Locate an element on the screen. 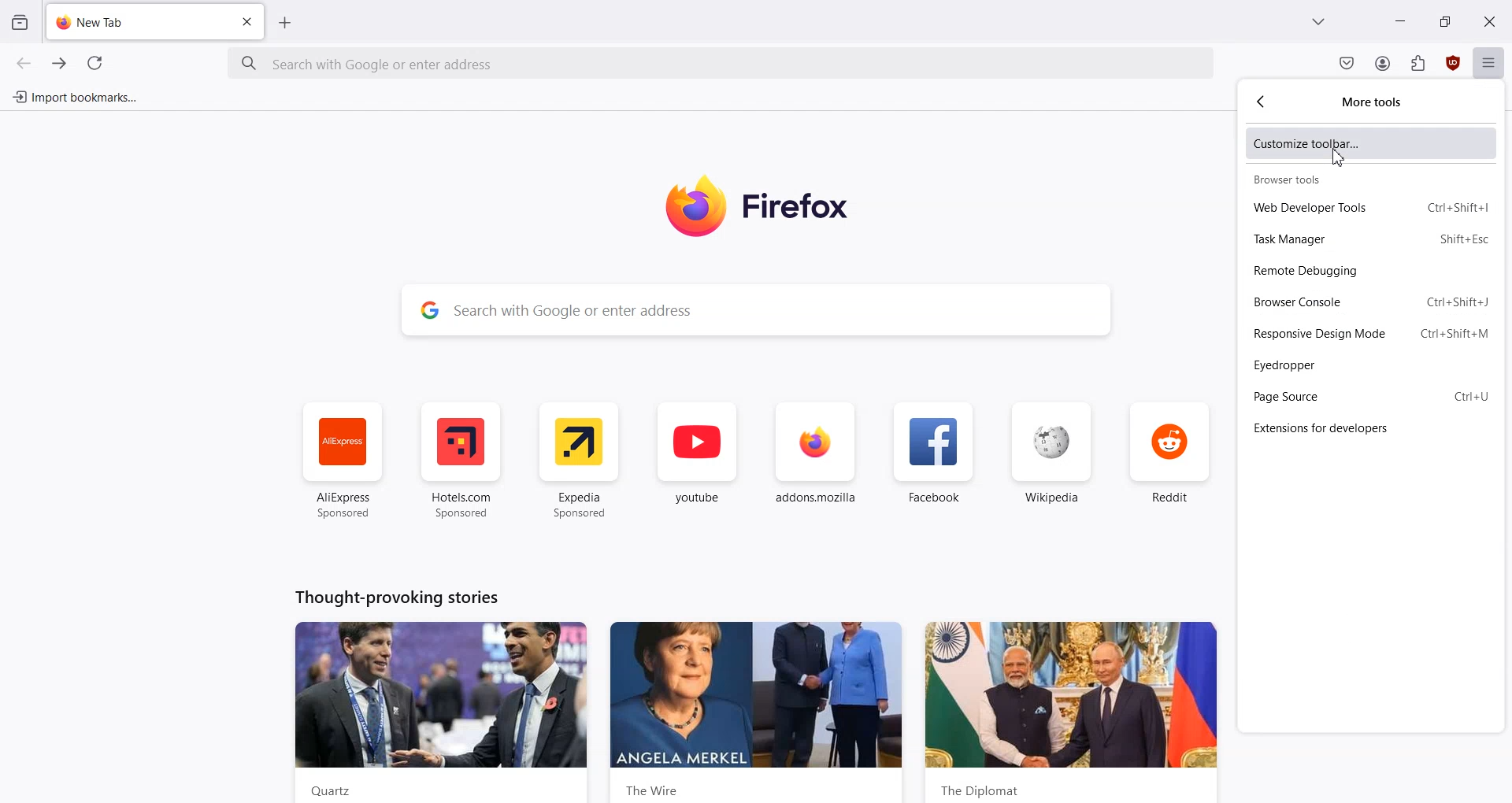 This screenshot has height=803, width=1512. Hotel.com Sponsored is located at coordinates (465, 460).